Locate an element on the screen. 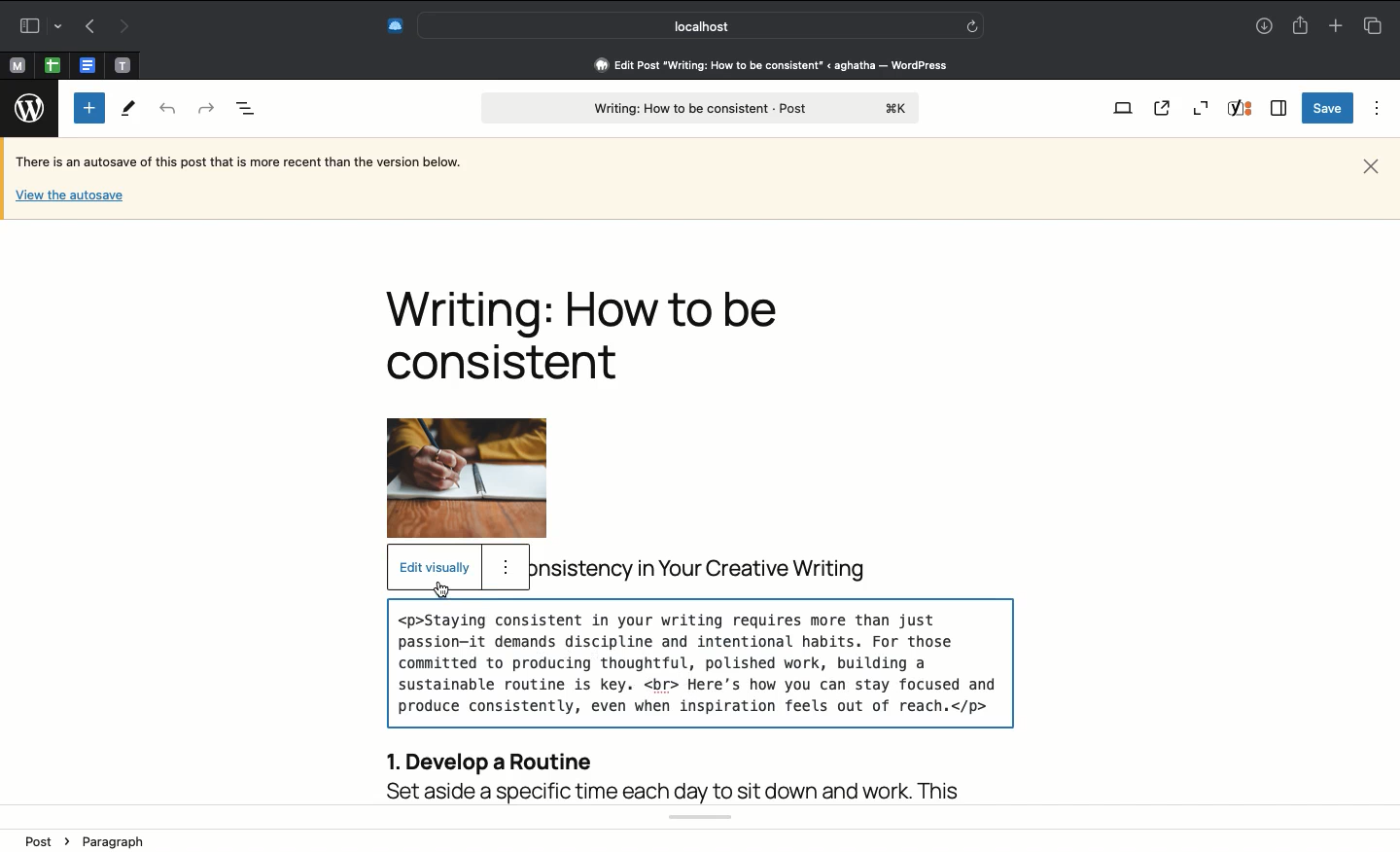  option is located at coordinates (504, 568).